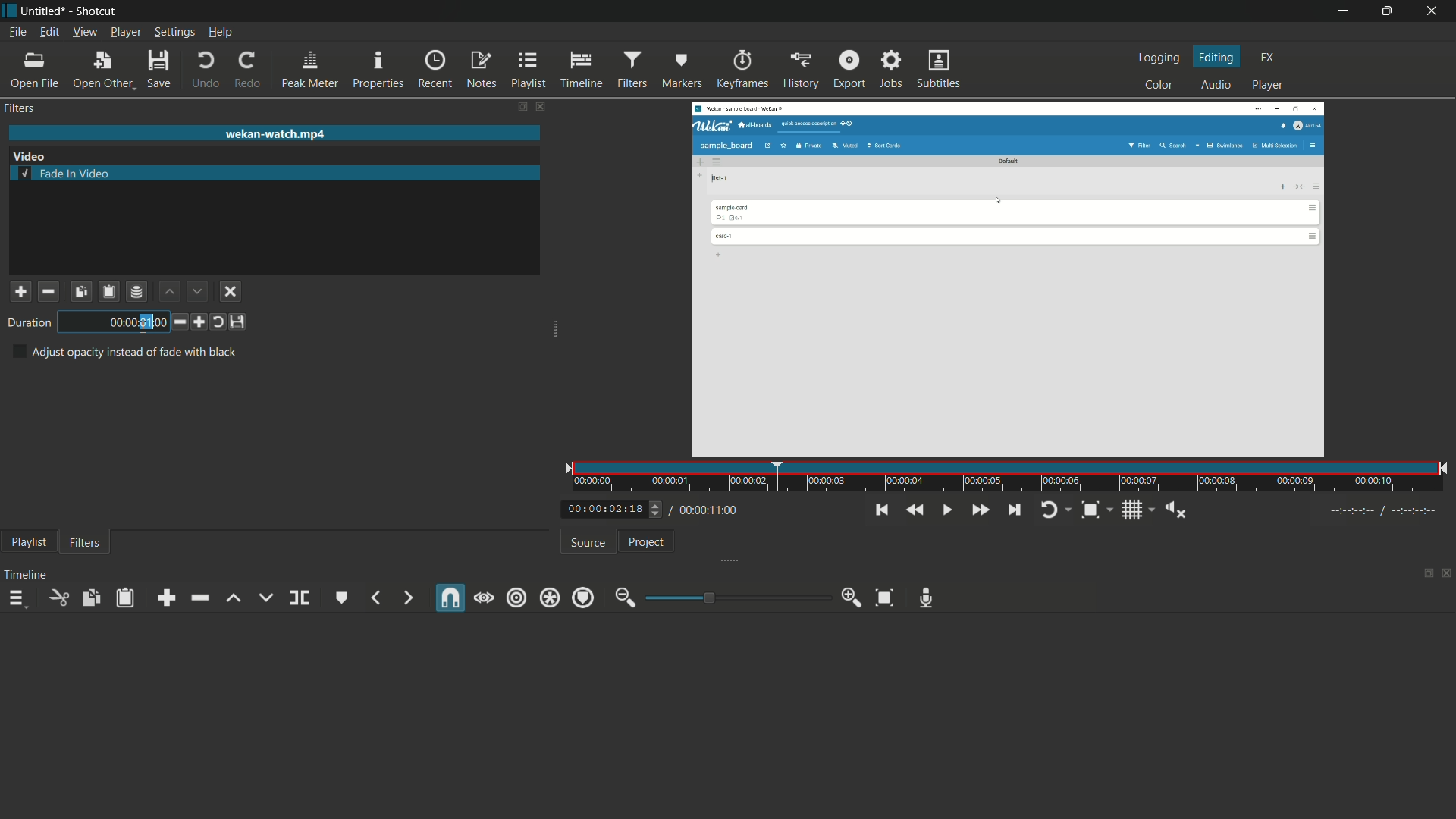 The image size is (1456, 819). What do you see at coordinates (33, 71) in the screenshot?
I see `open file` at bounding box center [33, 71].